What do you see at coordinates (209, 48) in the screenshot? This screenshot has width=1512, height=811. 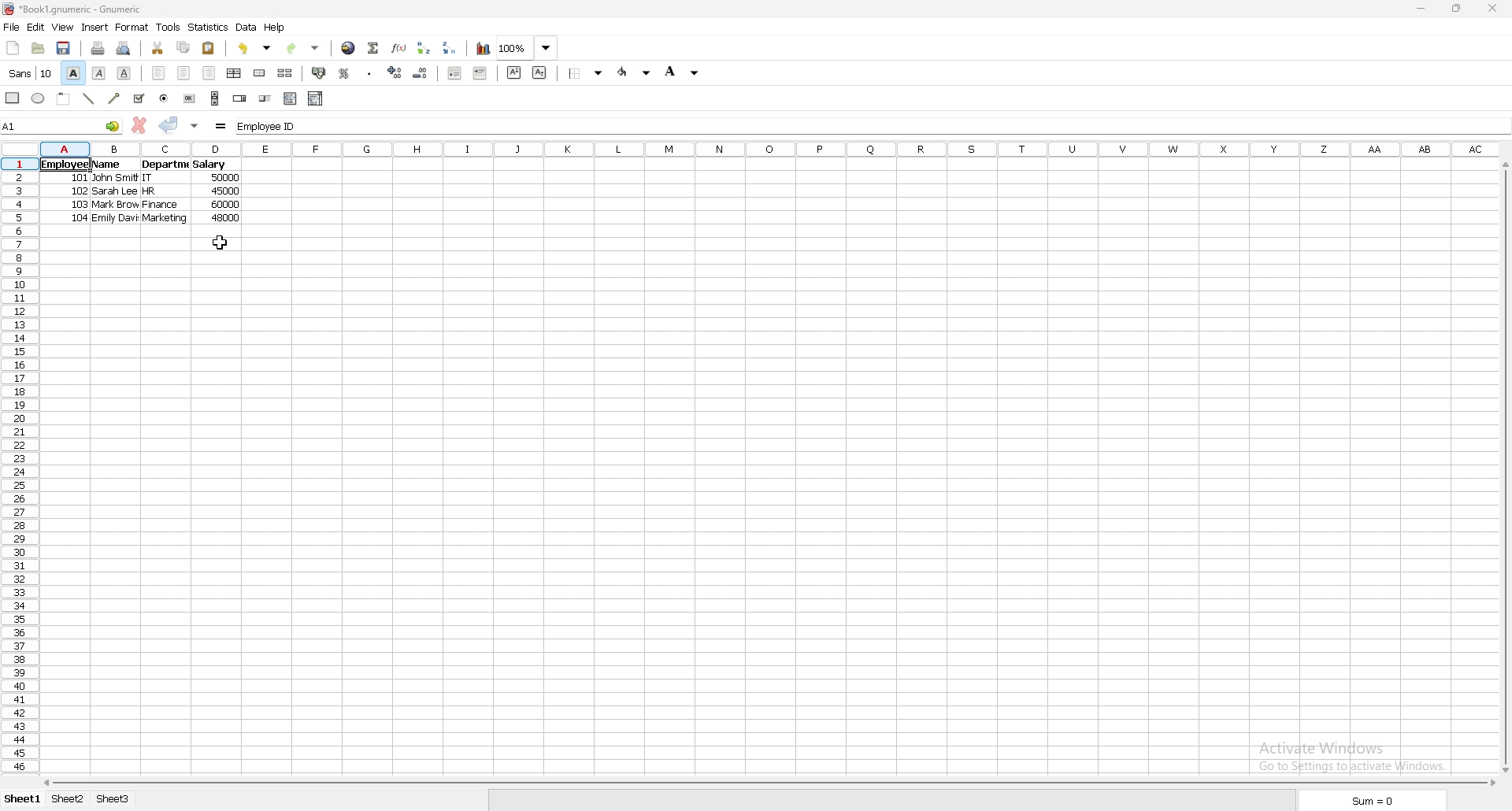 I see `paste` at bounding box center [209, 48].